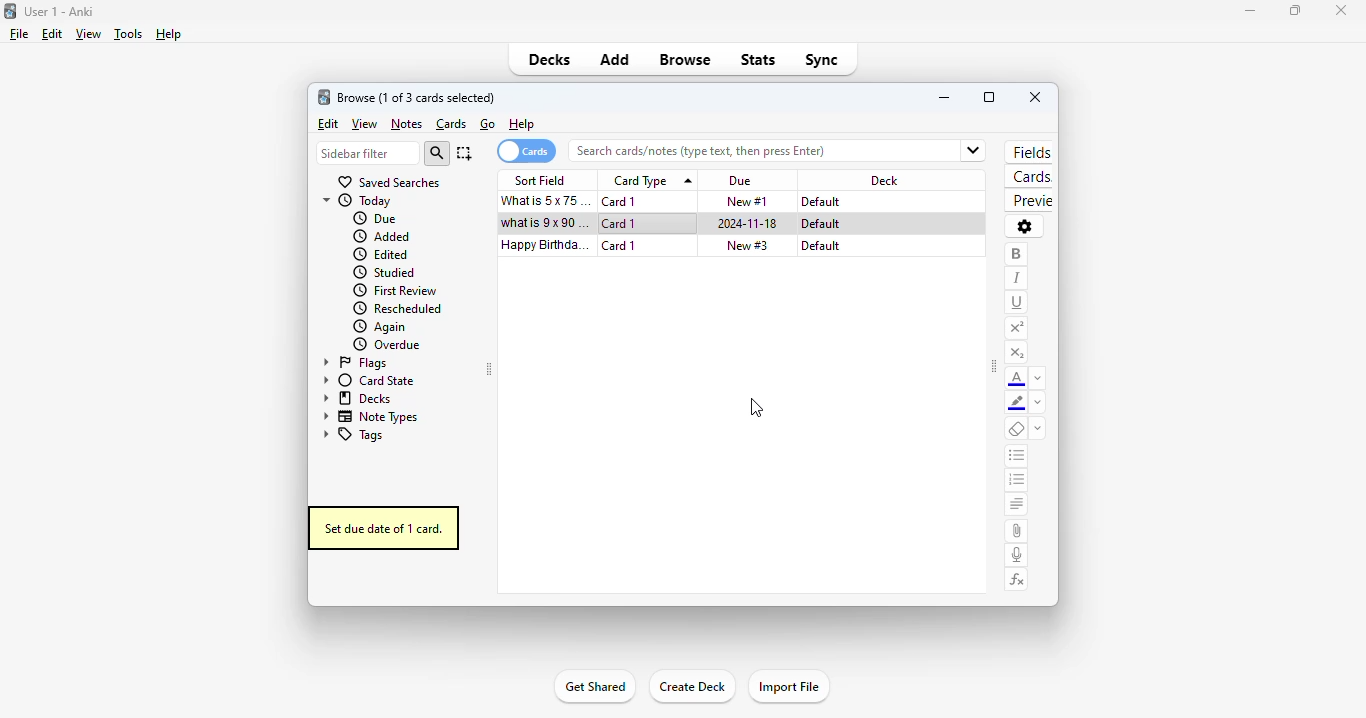 This screenshot has height=718, width=1366. Describe the element at coordinates (1038, 429) in the screenshot. I see `select formatting to remove` at that location.